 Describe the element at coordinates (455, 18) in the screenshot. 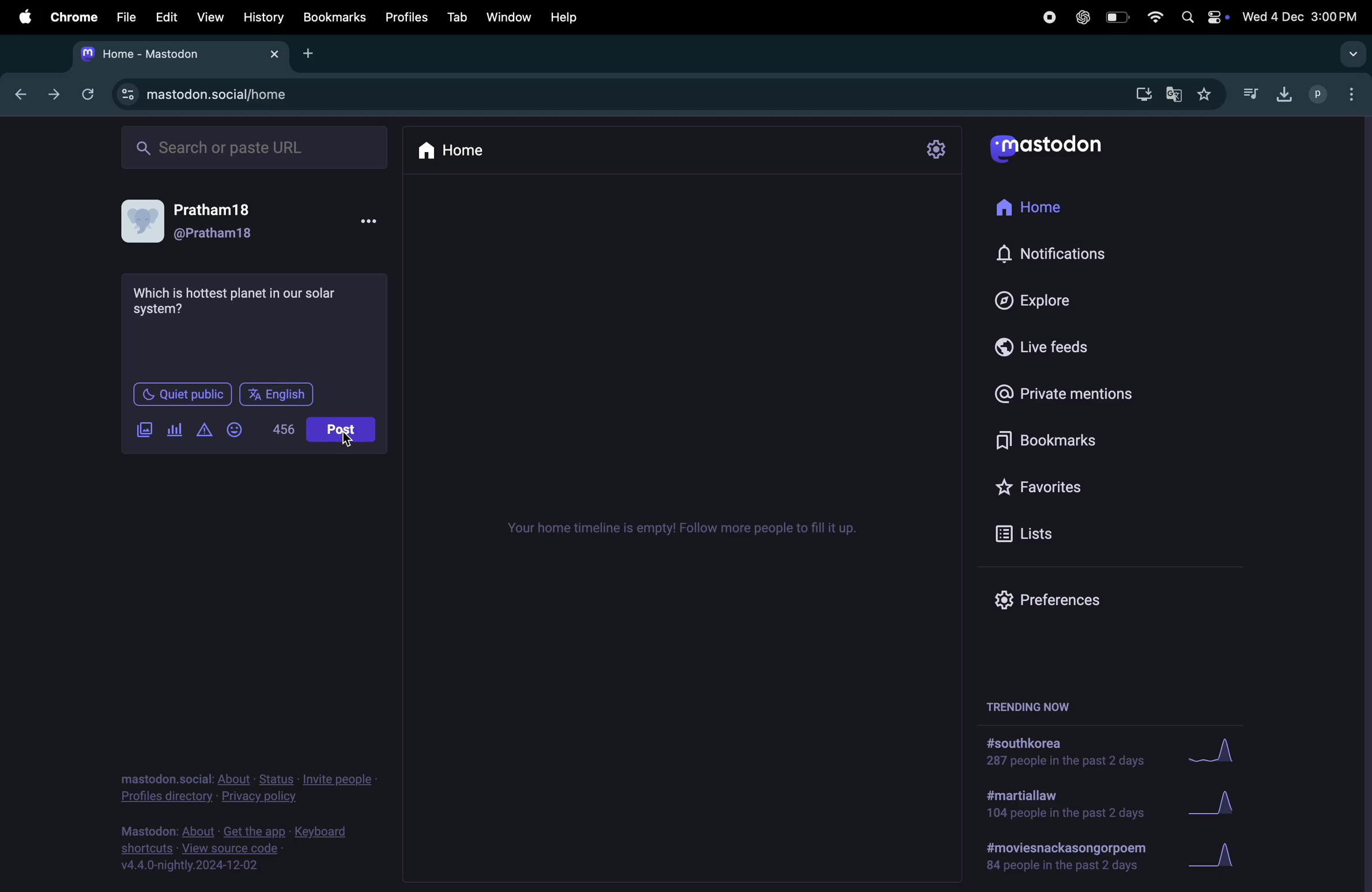

I see `tab` at that location.